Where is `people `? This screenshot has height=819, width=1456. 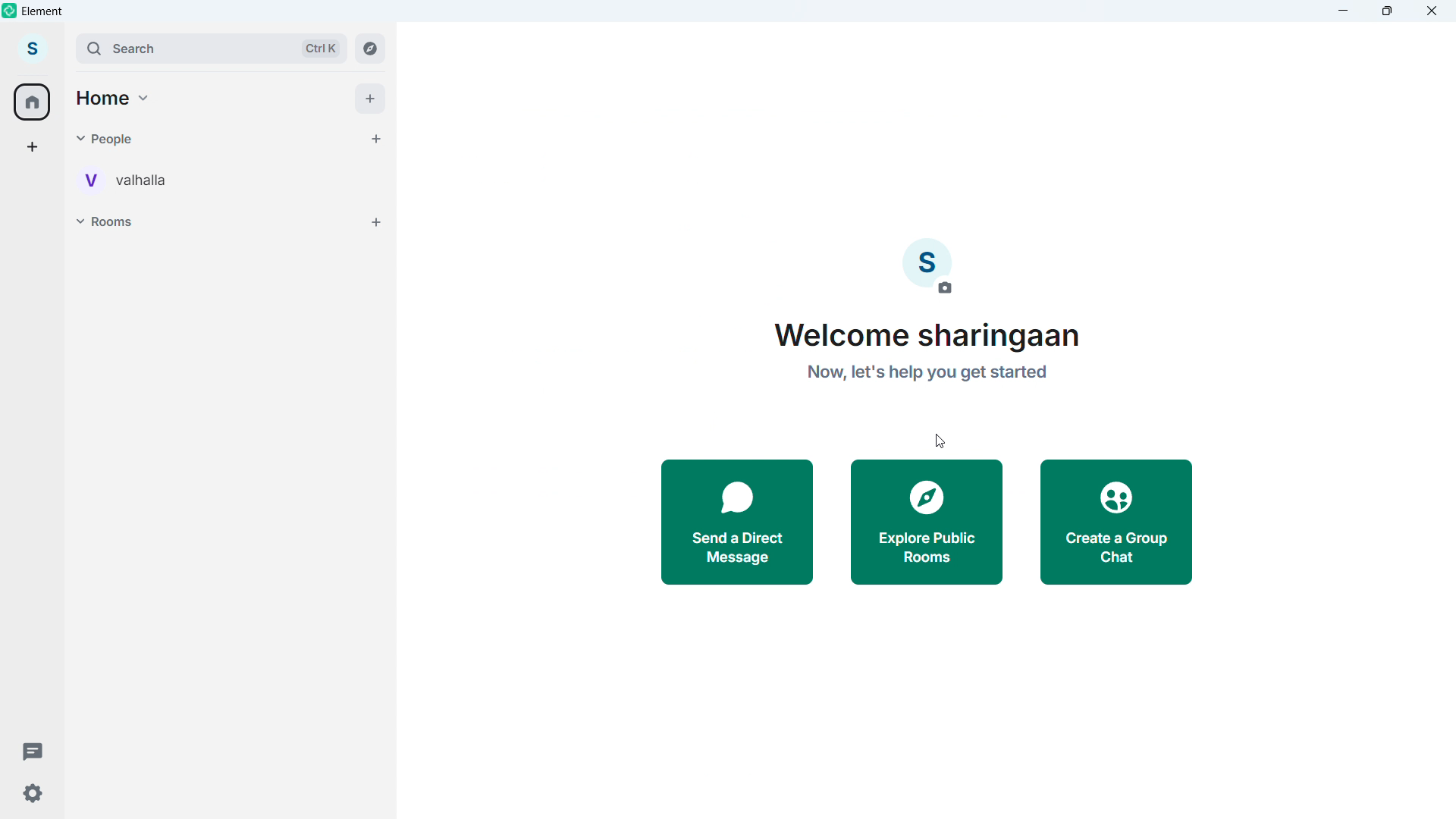 people  is located at coordinates (120, 138).